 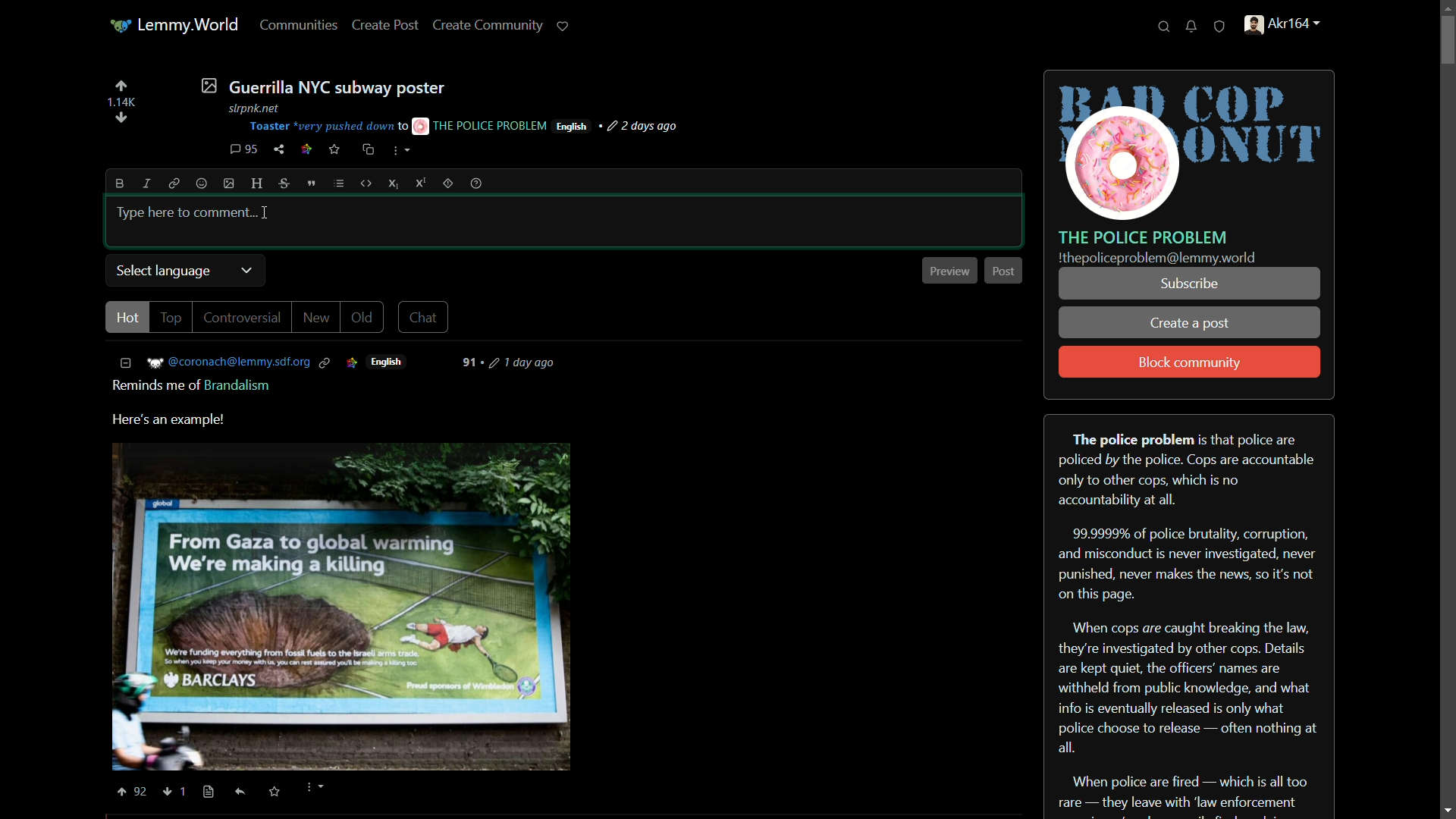 I want to click on code, so click(x=367, y=184).